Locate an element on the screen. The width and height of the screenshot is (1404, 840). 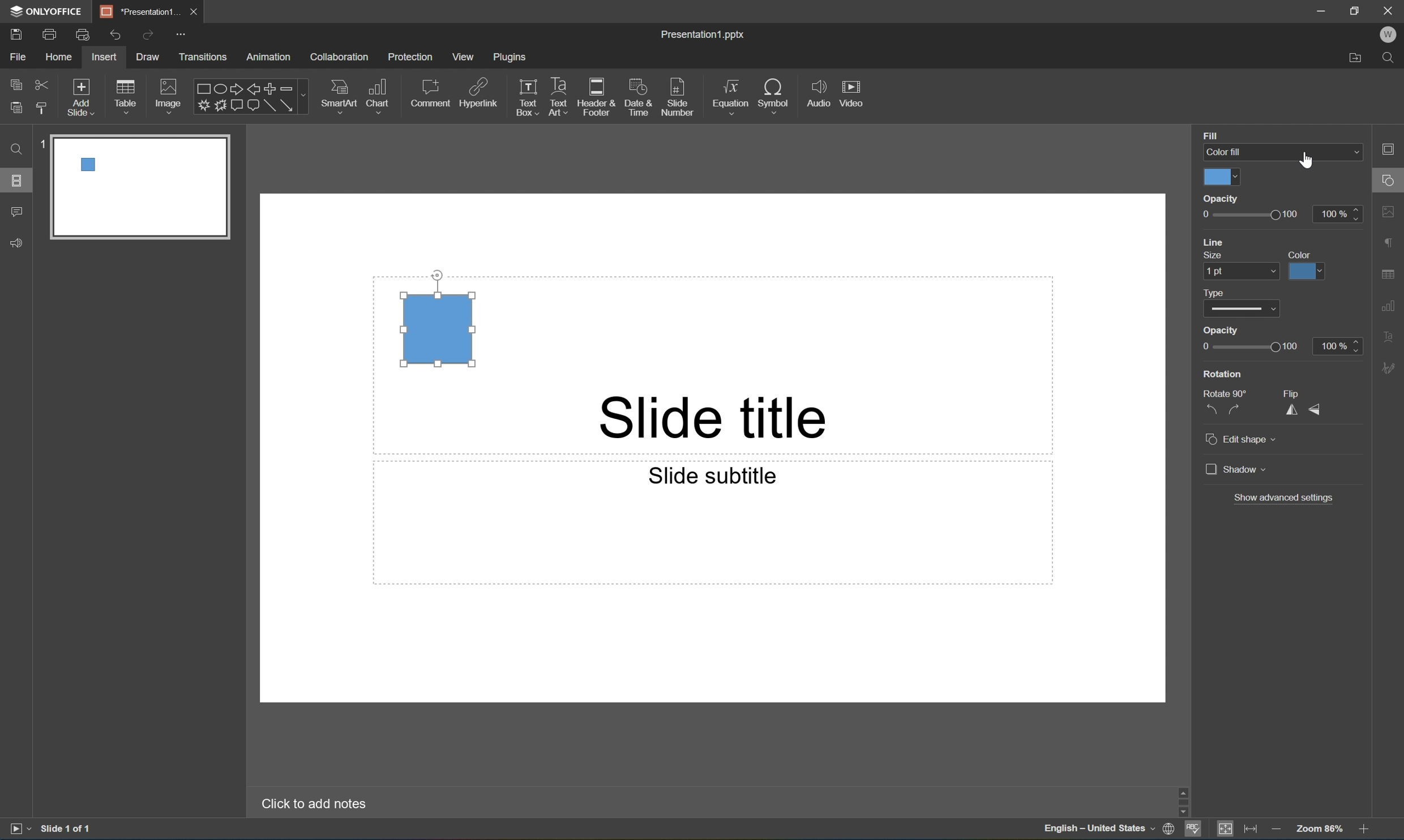
Feedback & Support is located at coordinates (18, 243).